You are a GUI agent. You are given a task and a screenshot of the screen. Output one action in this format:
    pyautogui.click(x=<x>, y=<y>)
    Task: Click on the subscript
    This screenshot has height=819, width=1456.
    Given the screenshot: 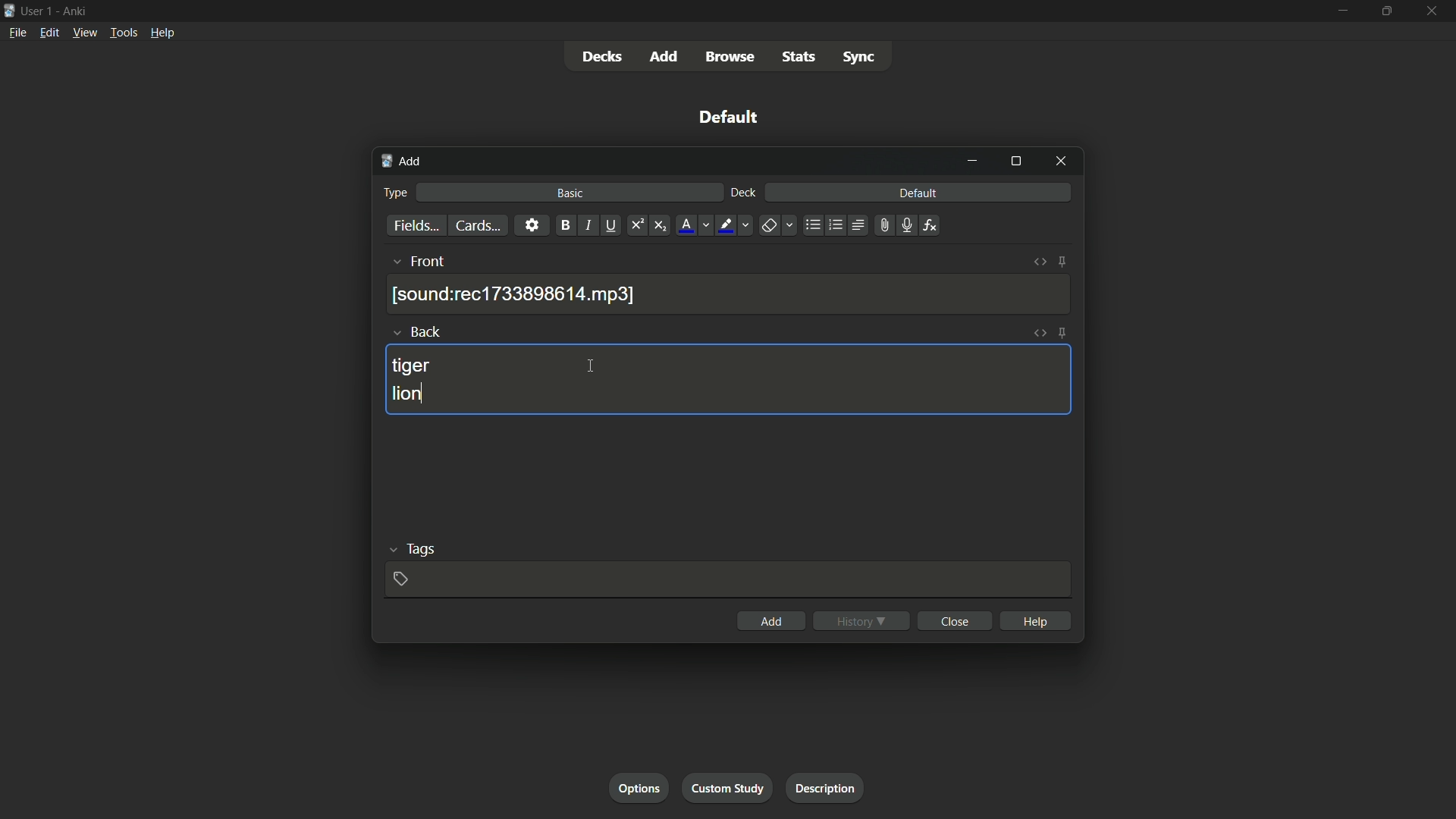 What is the action you would take?
    pyautogui.click(x=662, y=225)
    